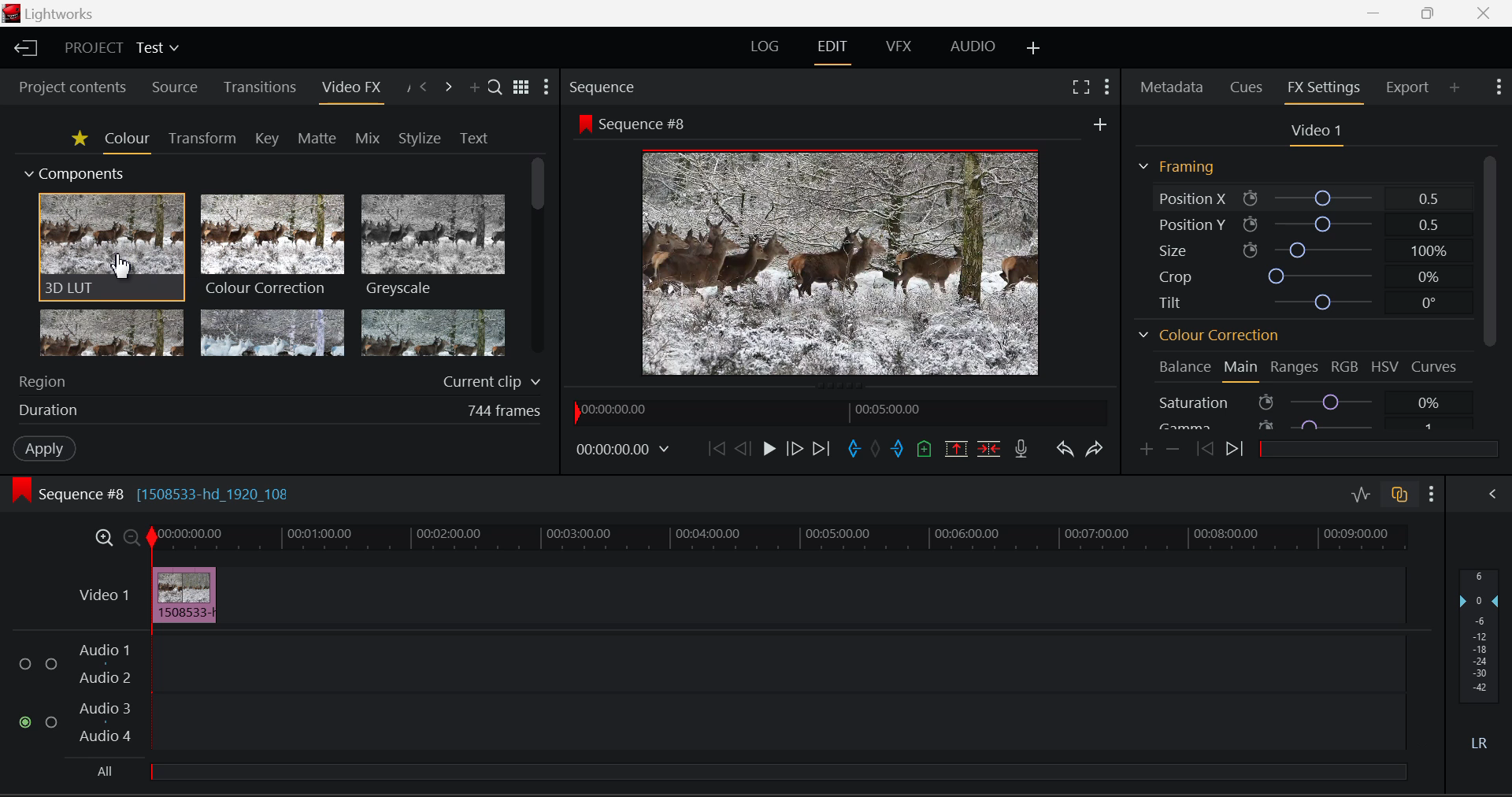 The width and height of the screenshot is (1512, 797). What do you see at coordinates (1208, 335) in the screenshot?
I see `Colour Correction Section` at bounding box center [1208, 335].